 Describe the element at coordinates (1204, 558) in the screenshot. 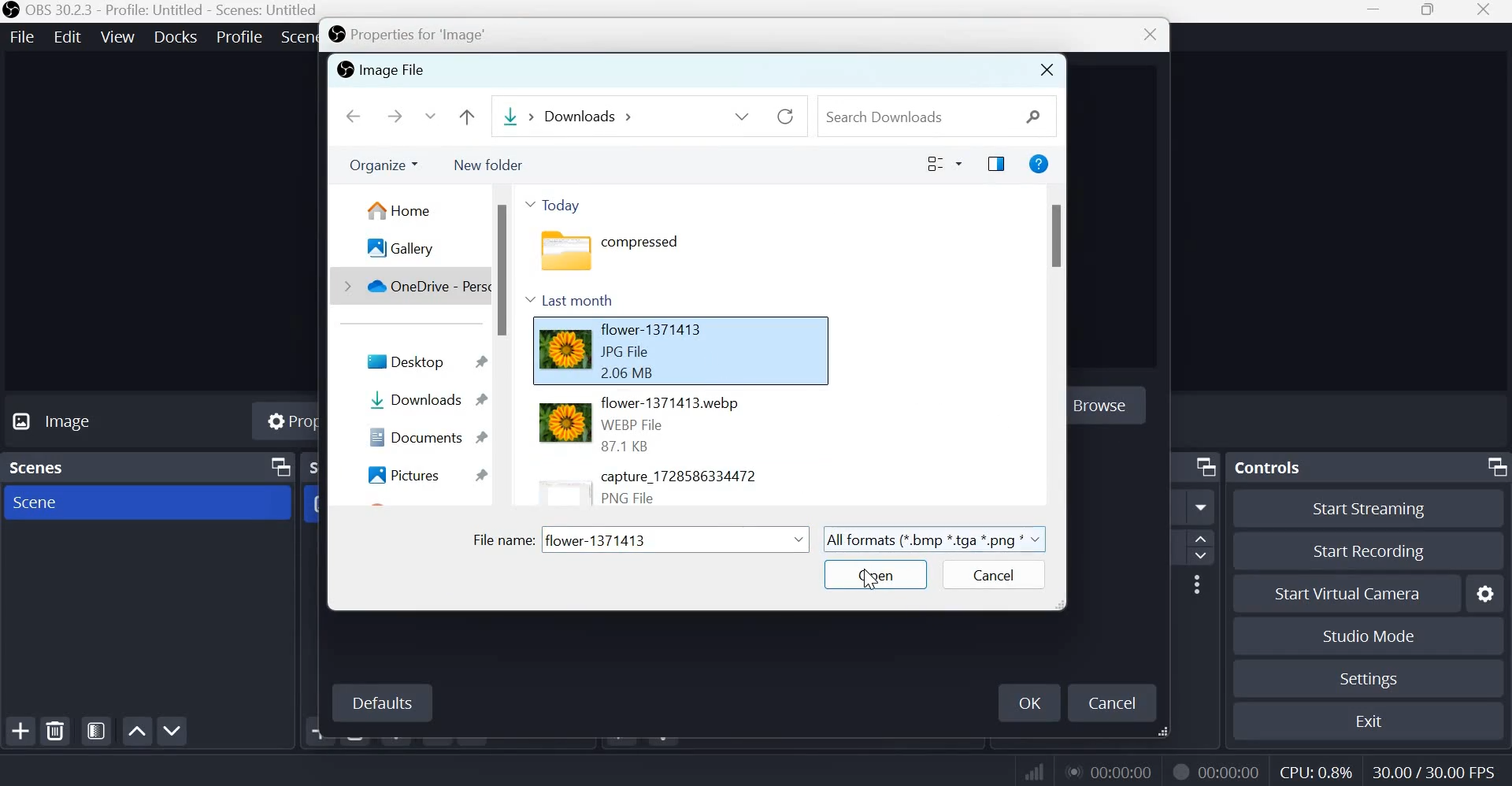

I see `Decrease` at that location.